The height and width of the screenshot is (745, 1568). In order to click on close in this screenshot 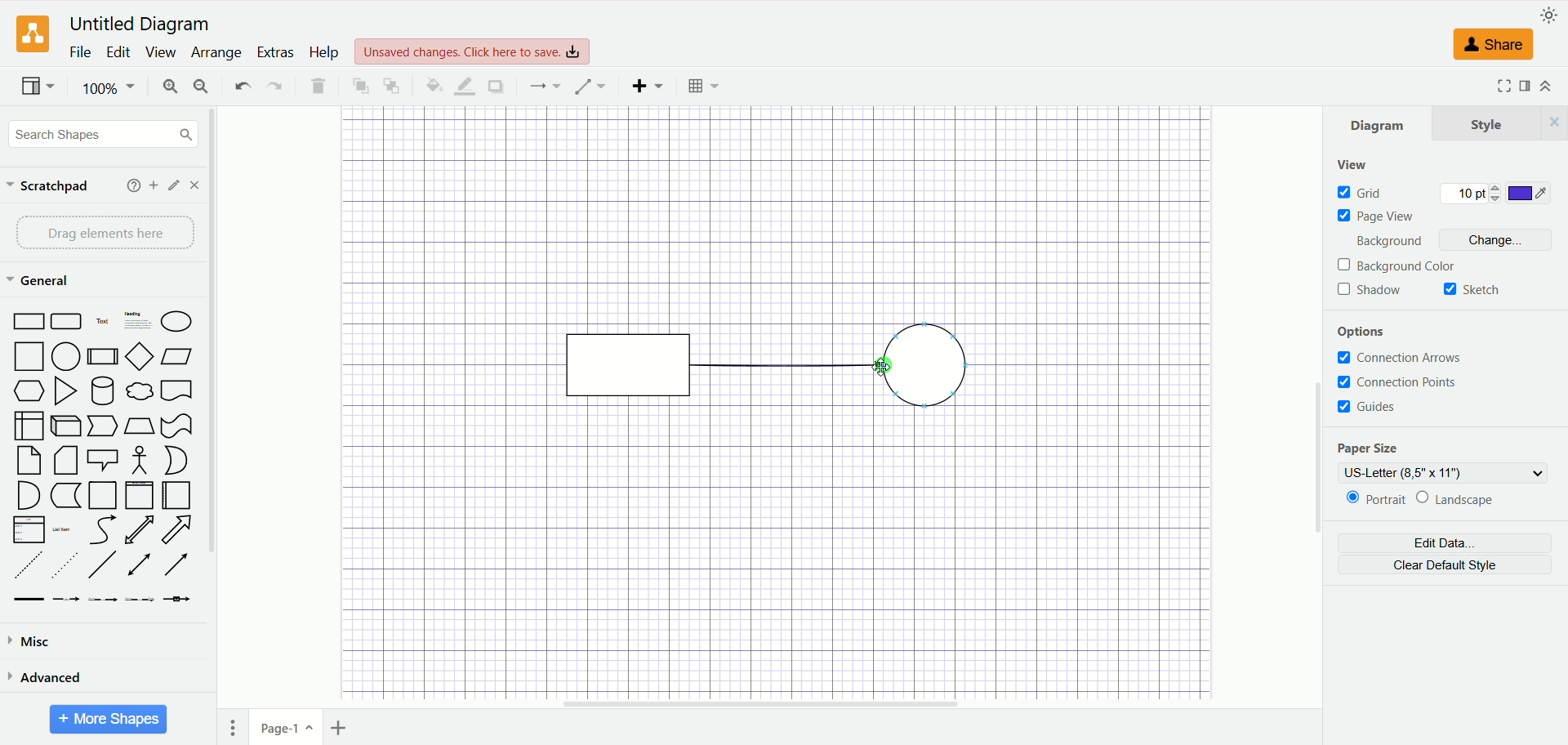, I will do `click(196, 185)`.